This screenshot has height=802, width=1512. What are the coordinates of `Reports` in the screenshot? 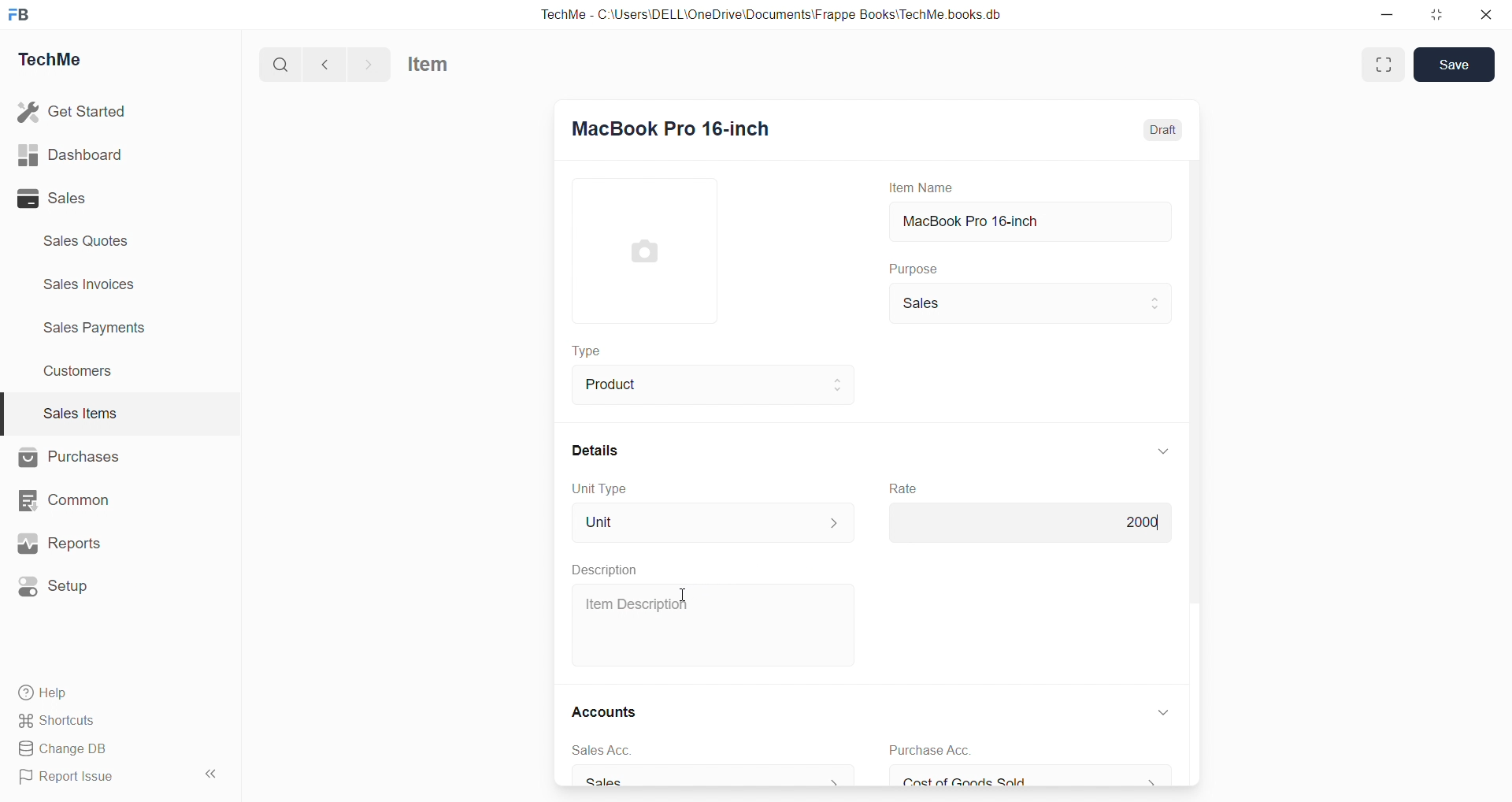 It's located at (61, 543).